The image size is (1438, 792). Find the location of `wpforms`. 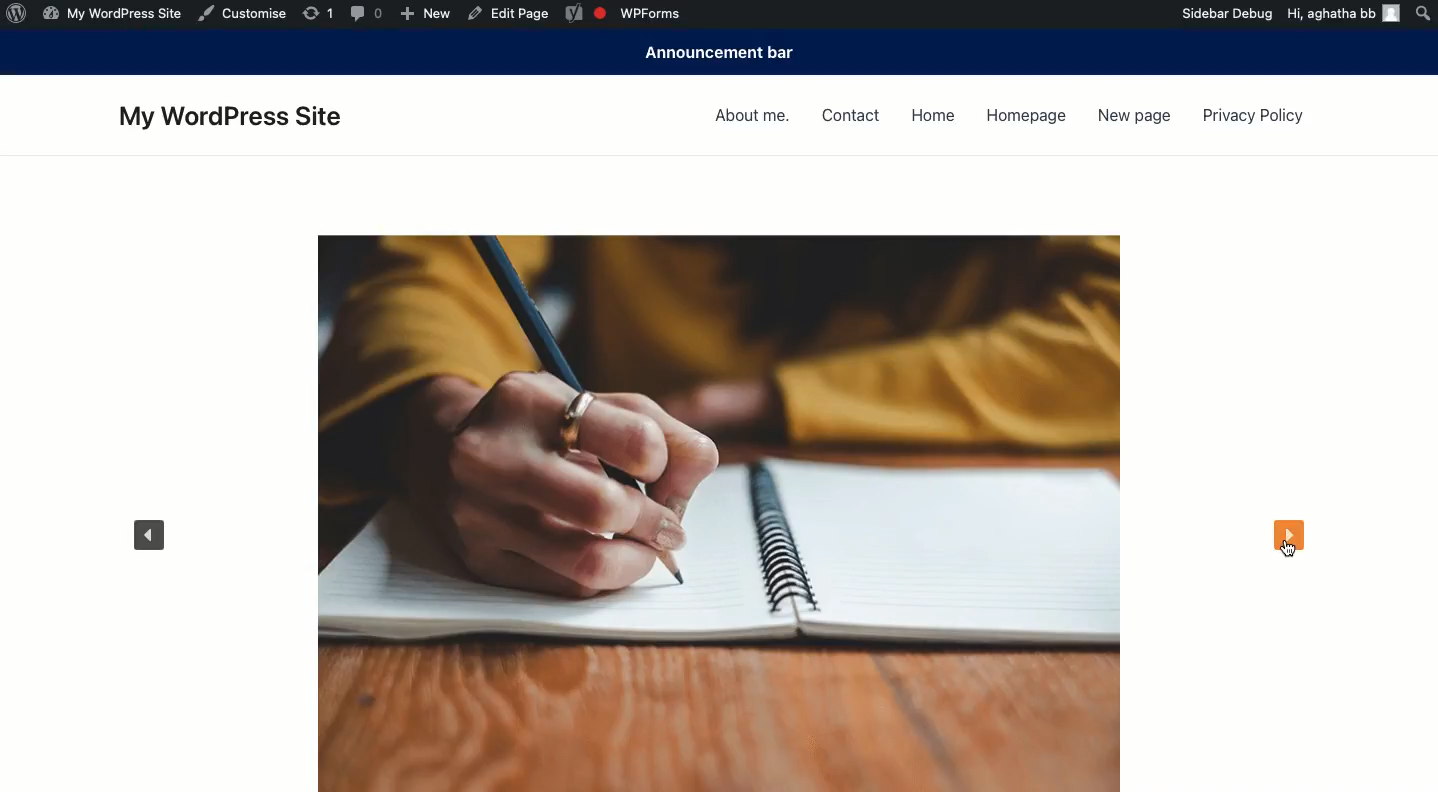

wpforms is located at coordinates (625, 14).